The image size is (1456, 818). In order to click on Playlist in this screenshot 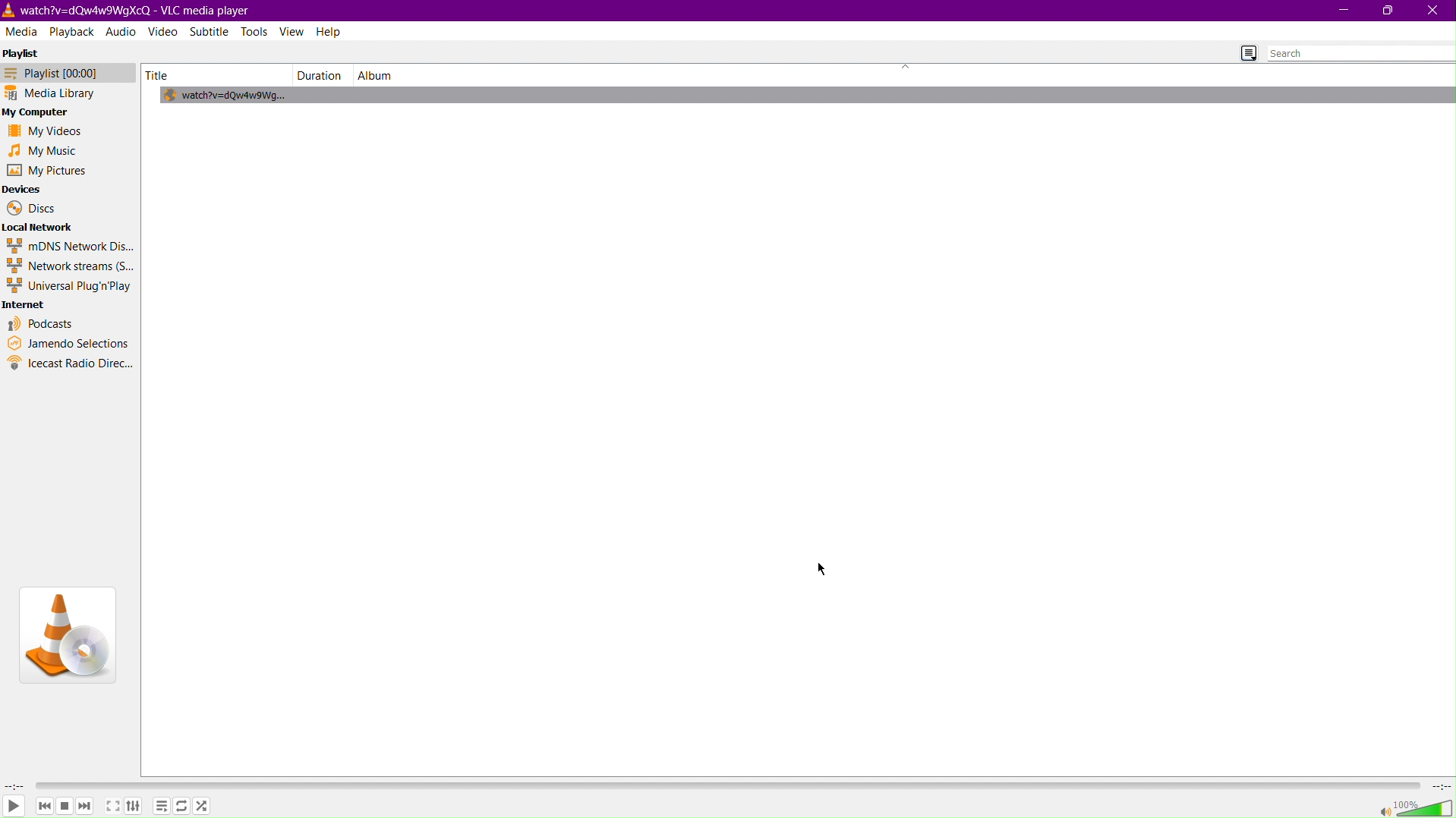, I will do `click(162, 807)`.